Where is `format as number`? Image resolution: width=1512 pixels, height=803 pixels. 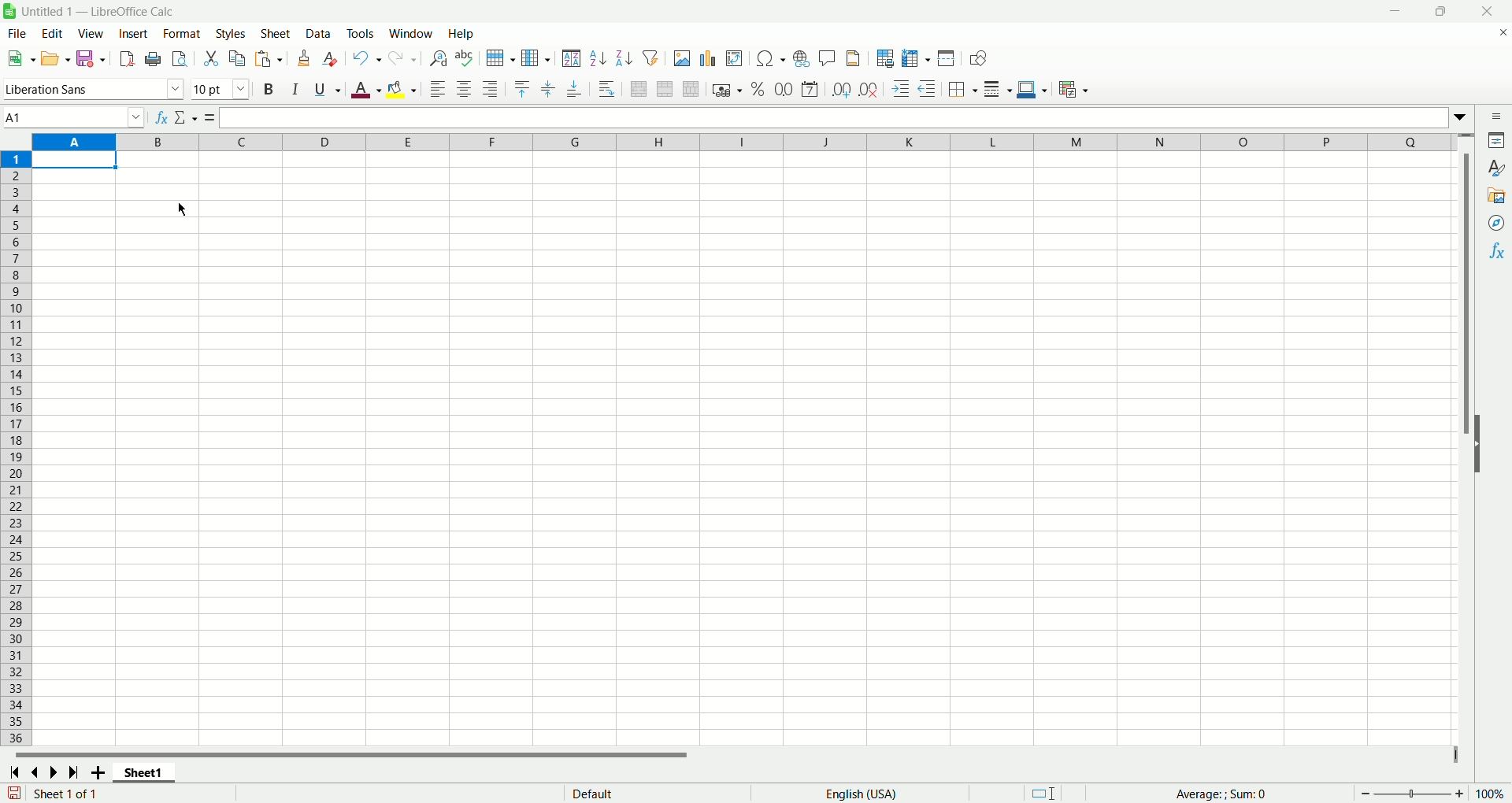
format as number is located at coordinates (784, 89).